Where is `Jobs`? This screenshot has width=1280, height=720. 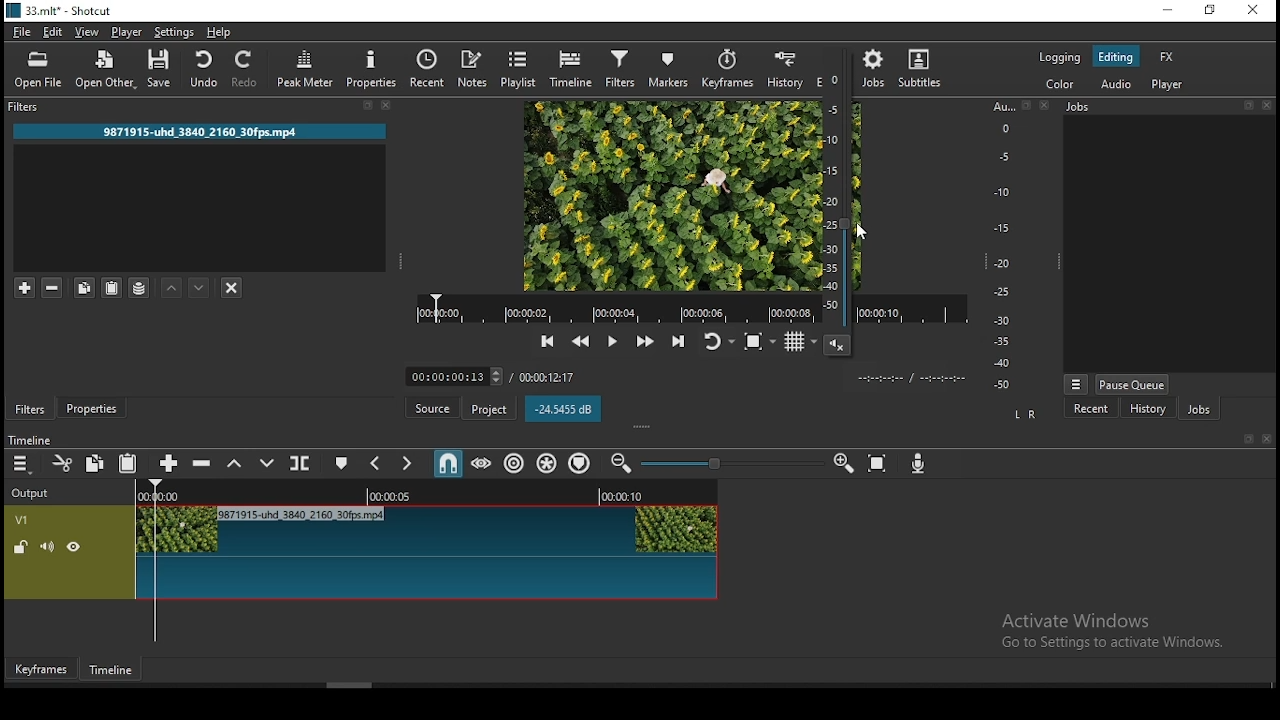 Jobs is located at coordinates (1088, 108).